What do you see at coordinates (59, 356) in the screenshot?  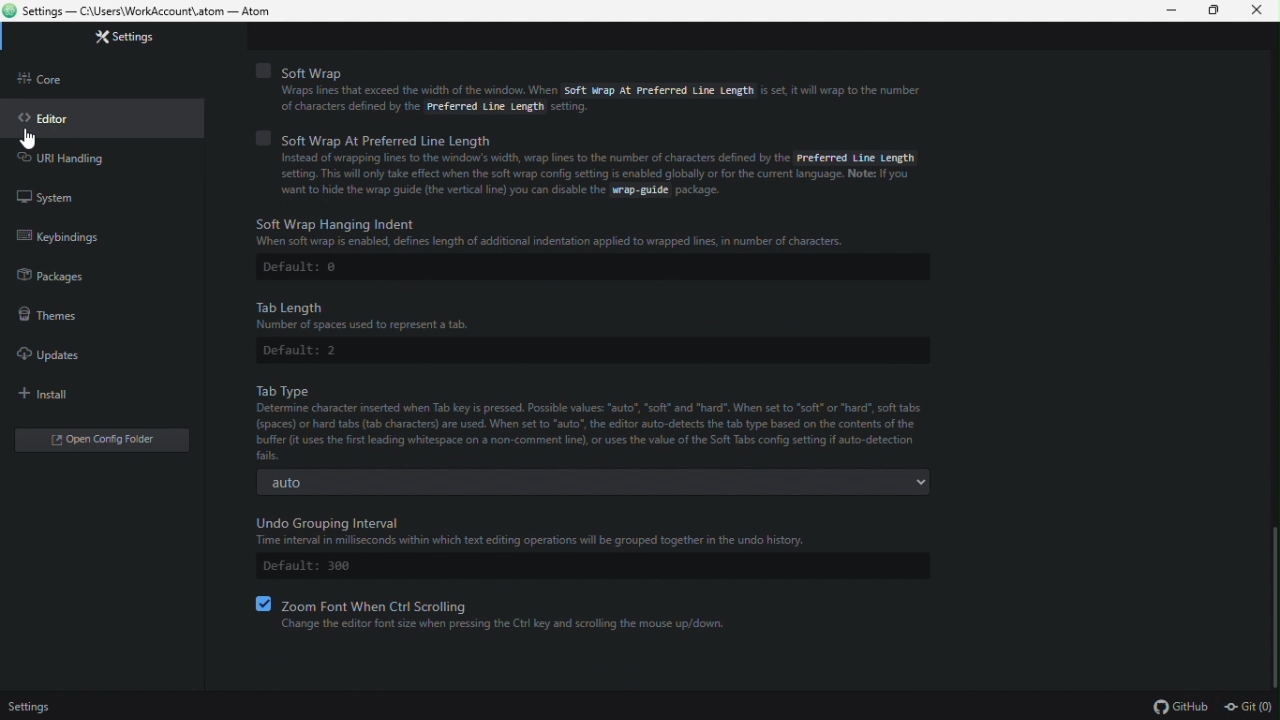 I see `updates` at bounding box center [59, 356].